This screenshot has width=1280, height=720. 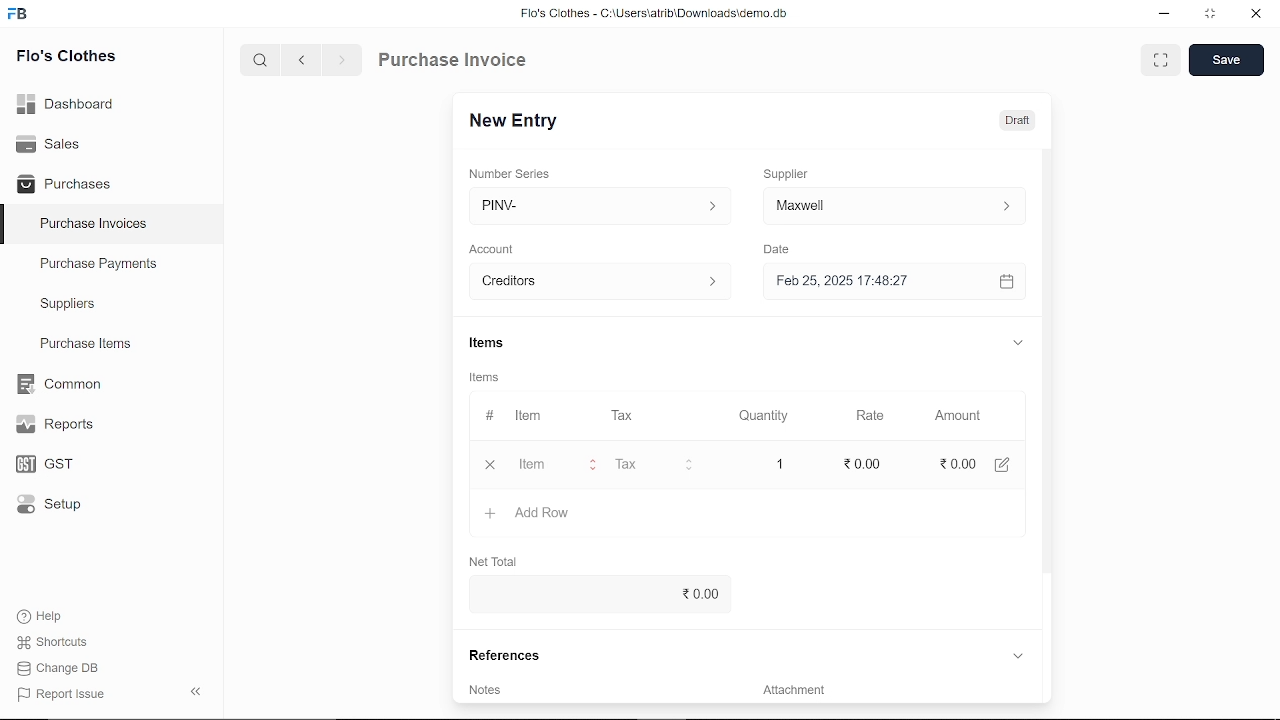 I want to click on next, so click(x=342, y=63).